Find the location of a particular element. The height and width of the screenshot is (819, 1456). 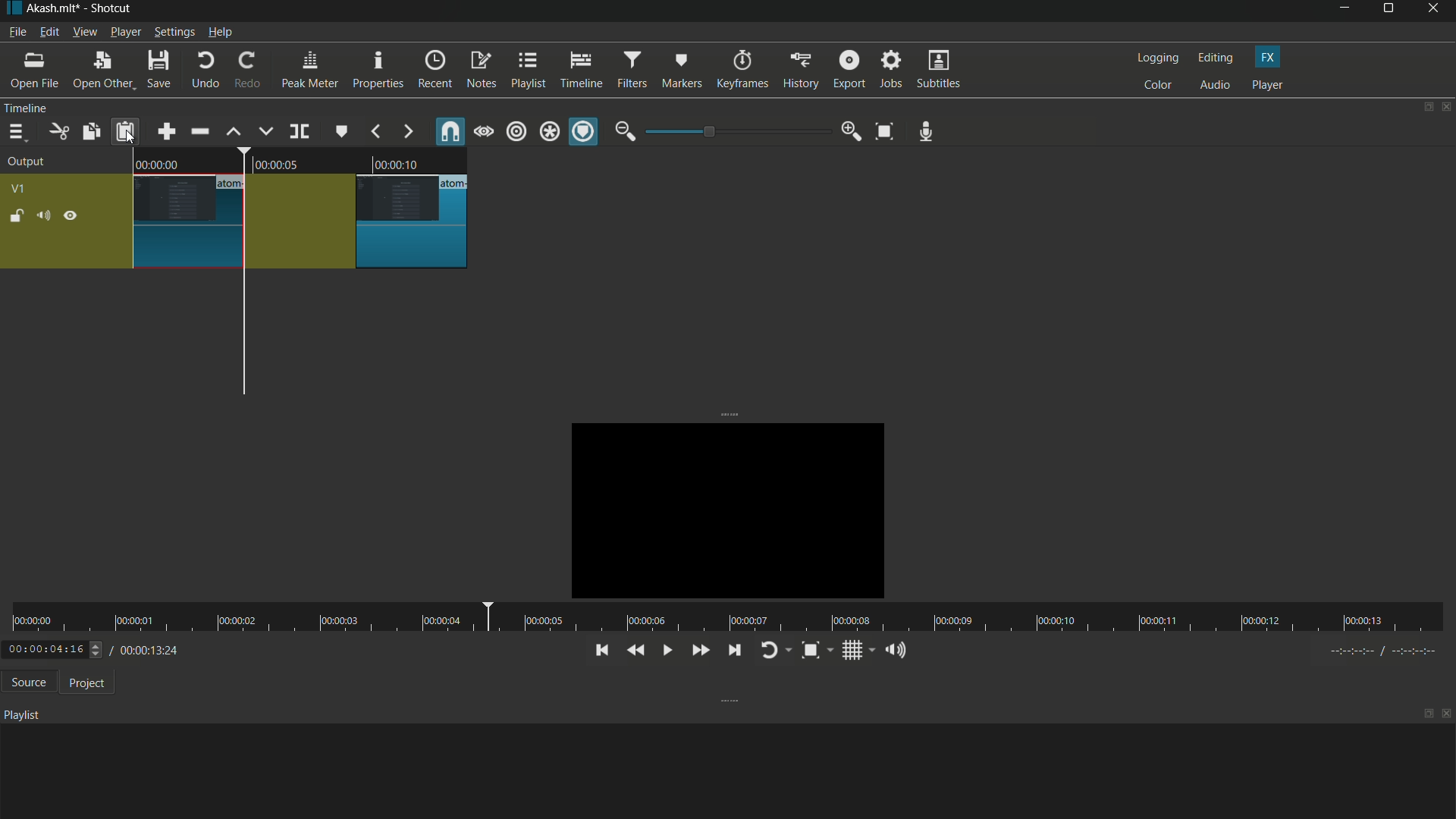

skip to the next point is located at coordinates (731, 649).